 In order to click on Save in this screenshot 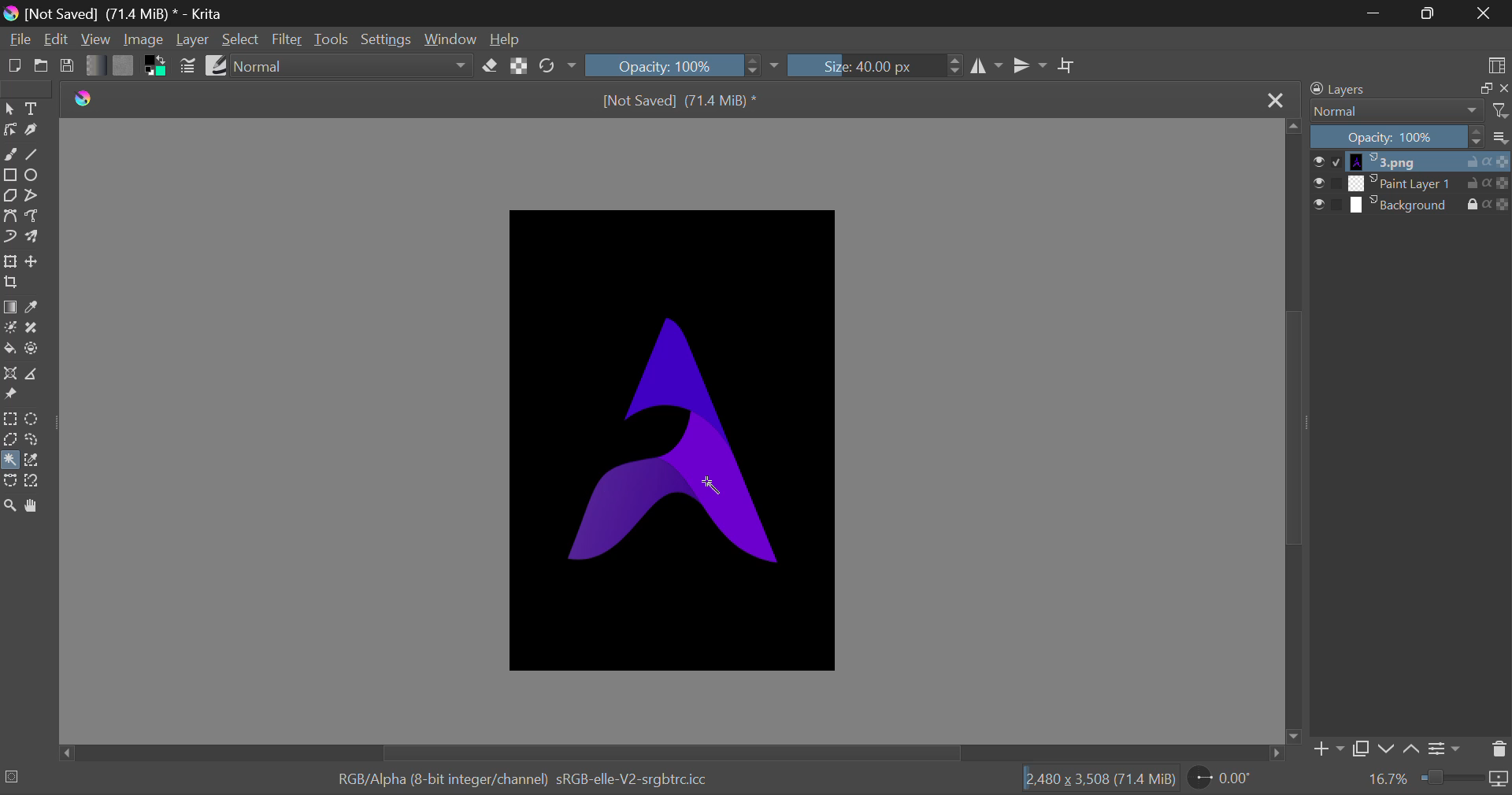, I will do `click(68, 65)`.